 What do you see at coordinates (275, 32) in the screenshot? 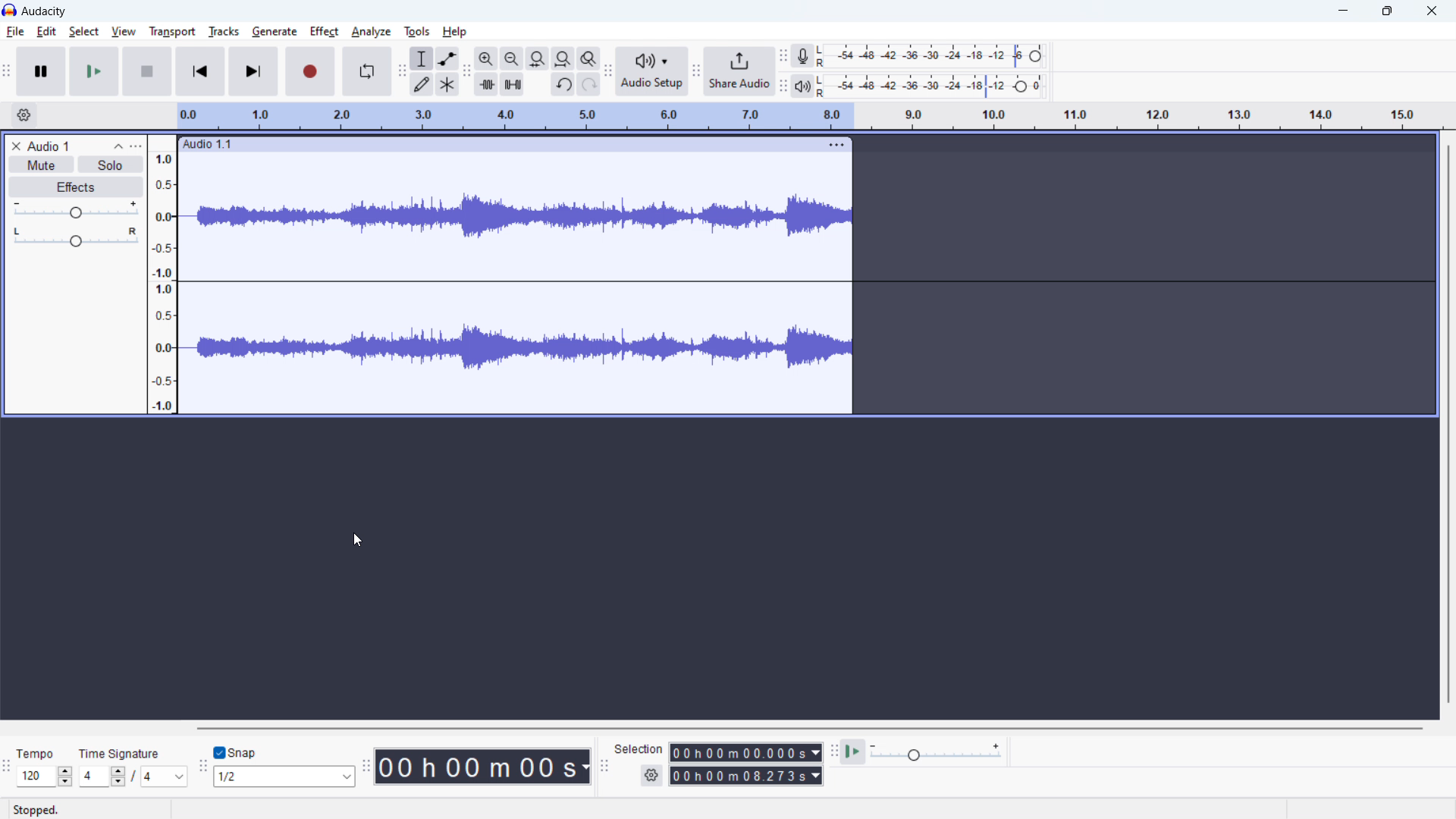
I see `generate` at bounding box center [275, 32].